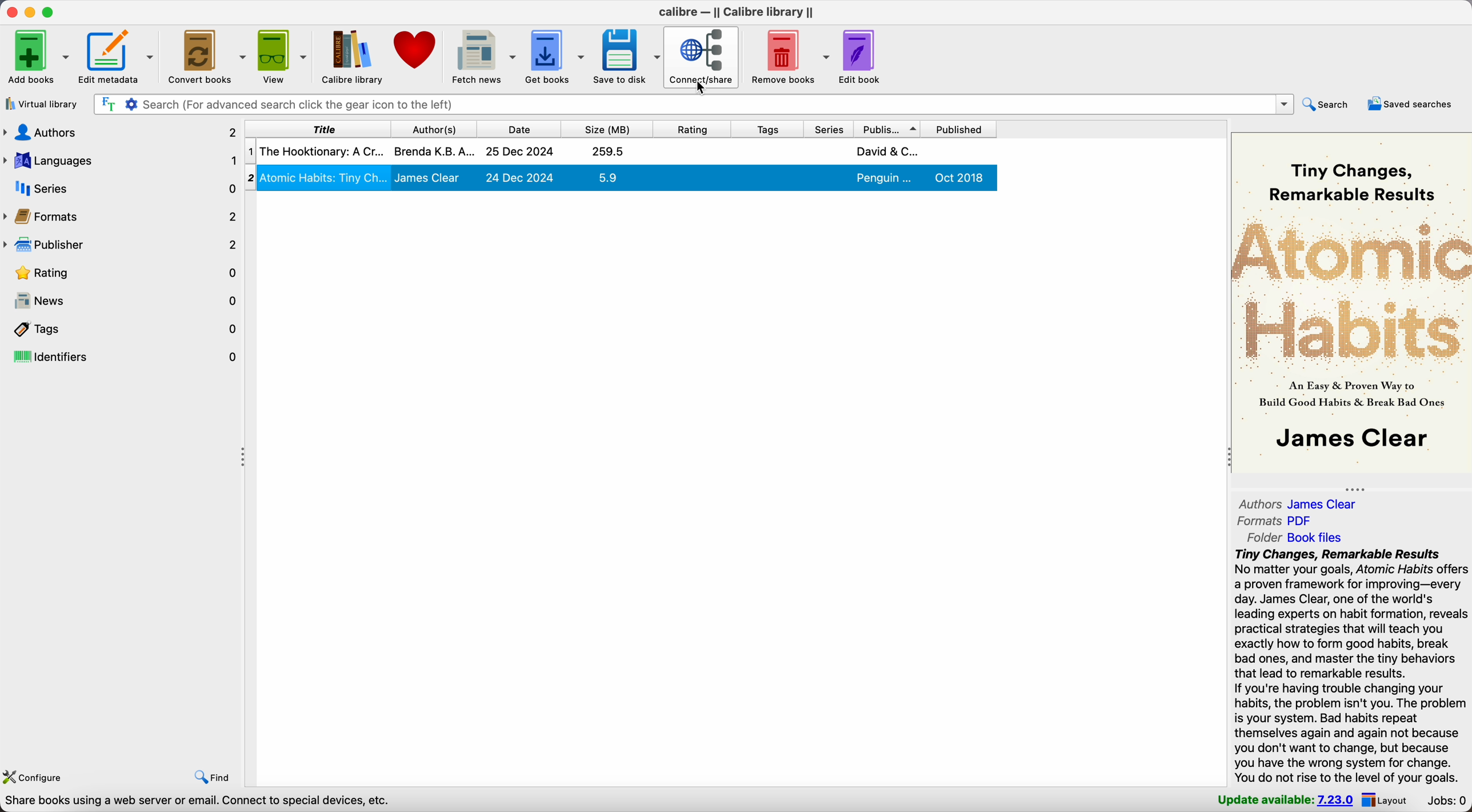 The height and width of the screenshot is (812, 1472). I want to click on formats PDF, so click(1275, 521).